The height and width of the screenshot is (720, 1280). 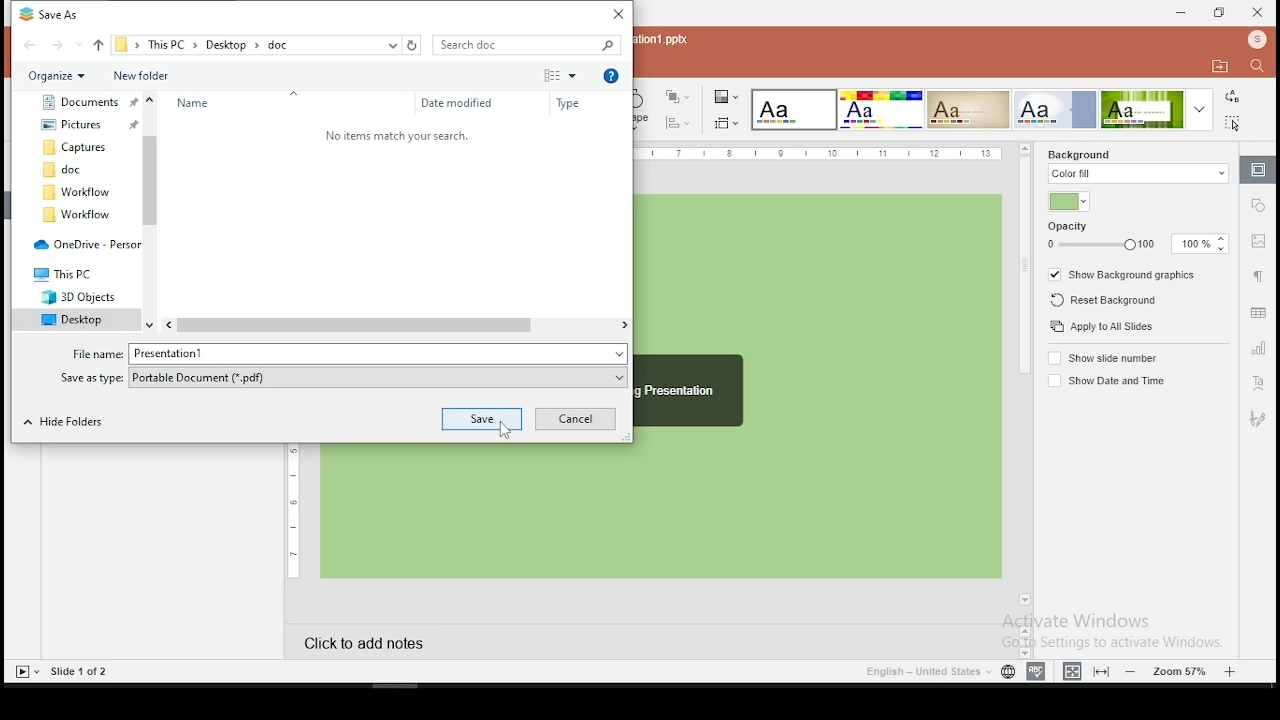 I want to click on profile, so click(x=1258, y=40).